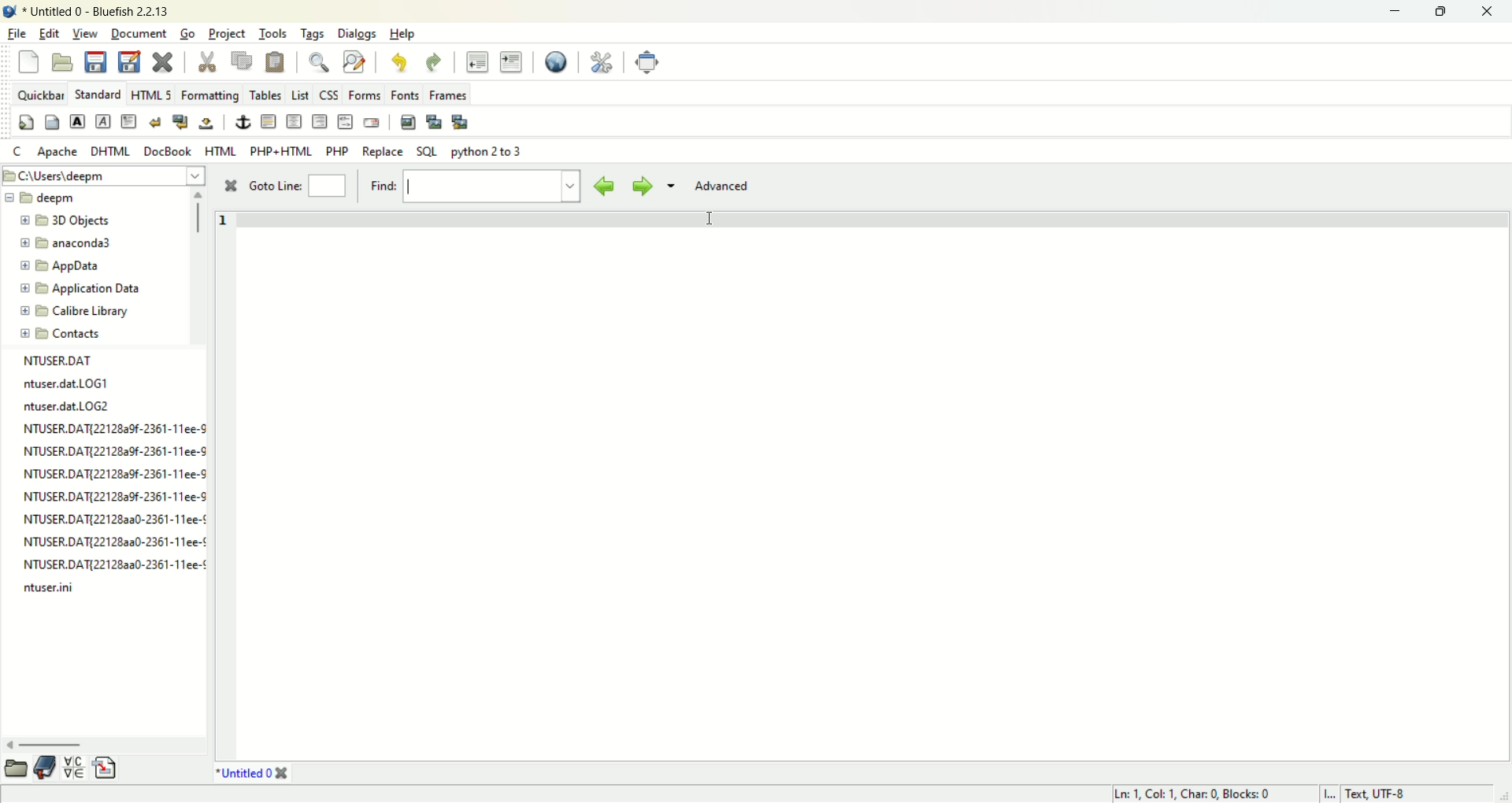 The height and width of the screenshot is (803, 1512). Describe the element at coordinates (198, 213) in the screenshot. I see `vertical scroll bar` at that location.